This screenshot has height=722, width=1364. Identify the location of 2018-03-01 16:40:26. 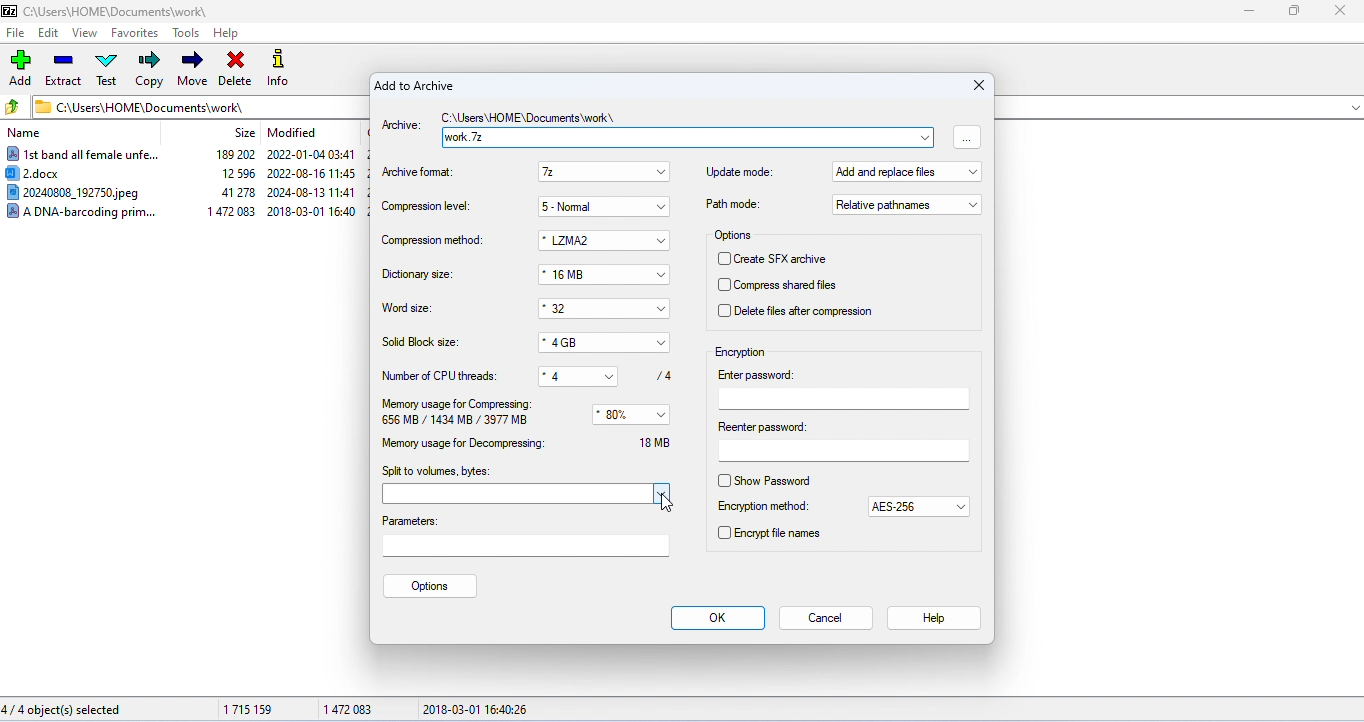
(477, 709).